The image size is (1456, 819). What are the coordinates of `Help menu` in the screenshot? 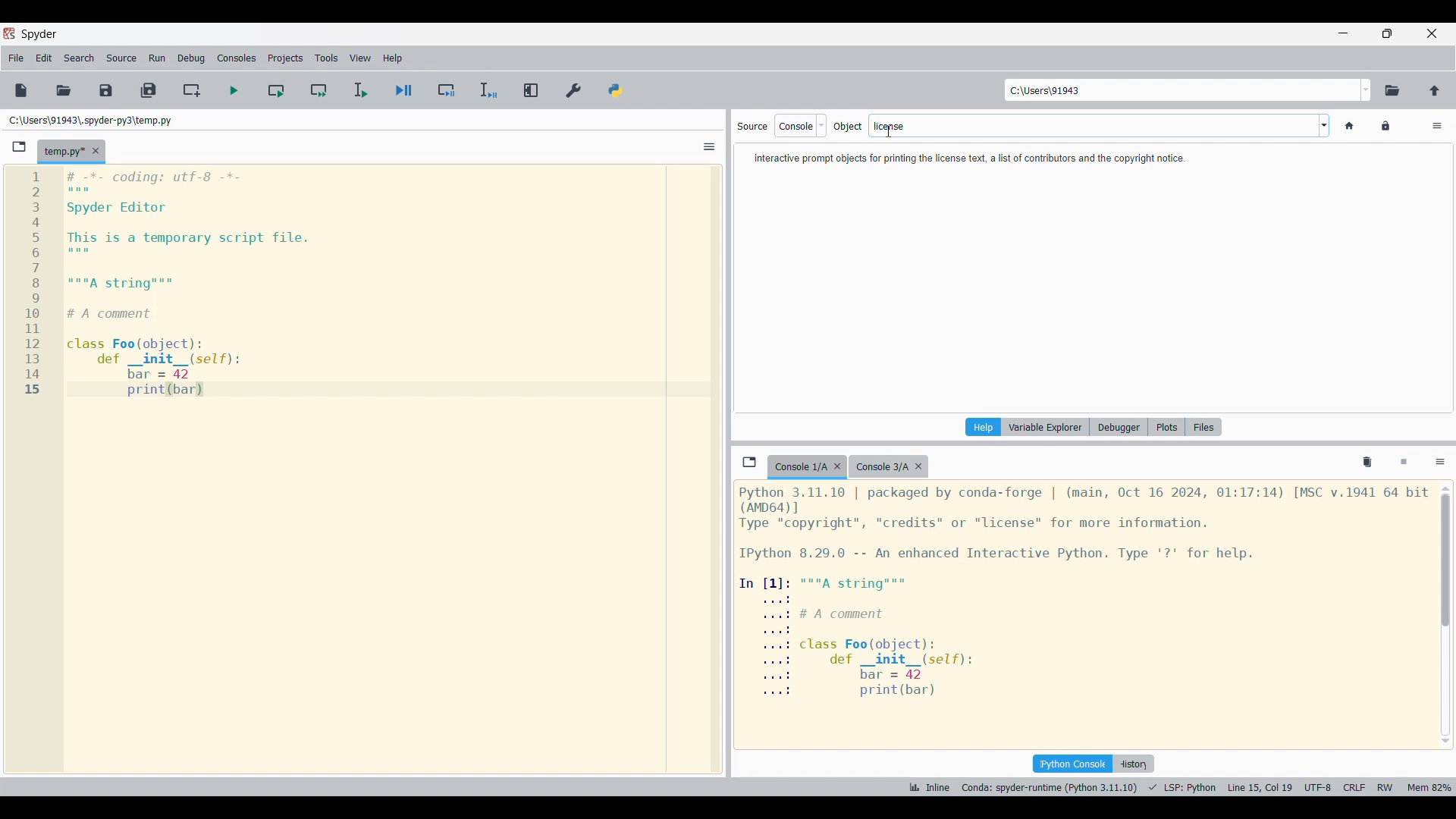 It's located at (392, 58).